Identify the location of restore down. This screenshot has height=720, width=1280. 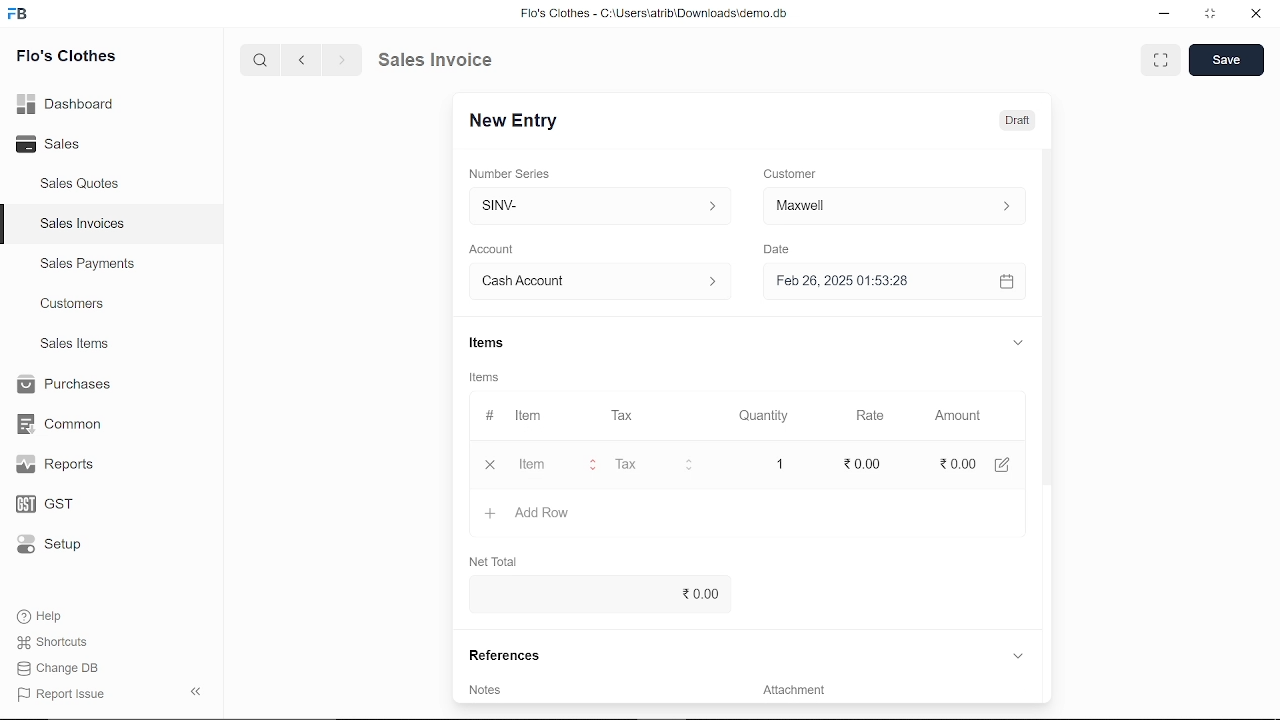
(1212, 15).